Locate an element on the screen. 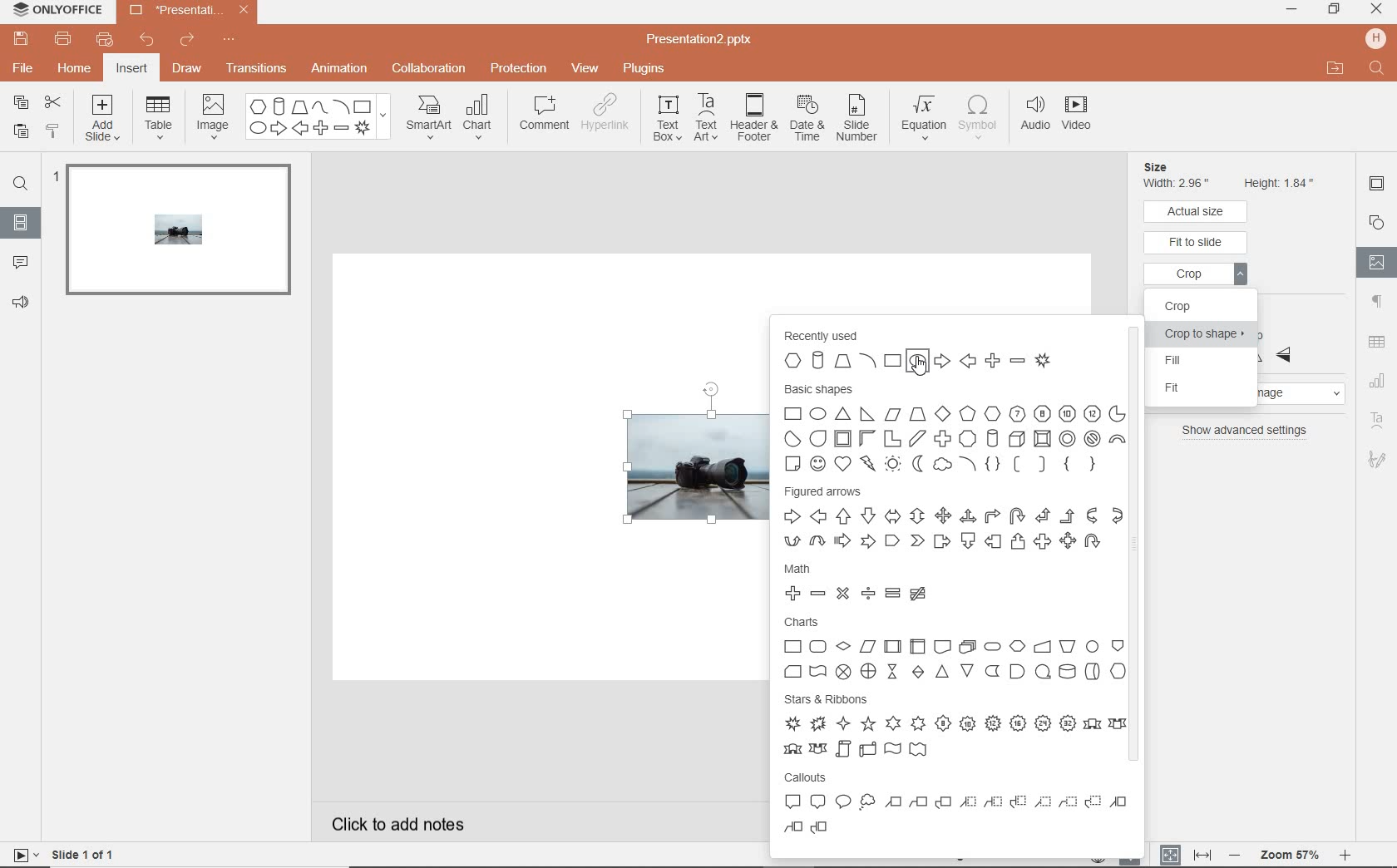  fit to page orwidth is located at coordinates (1184, 854).